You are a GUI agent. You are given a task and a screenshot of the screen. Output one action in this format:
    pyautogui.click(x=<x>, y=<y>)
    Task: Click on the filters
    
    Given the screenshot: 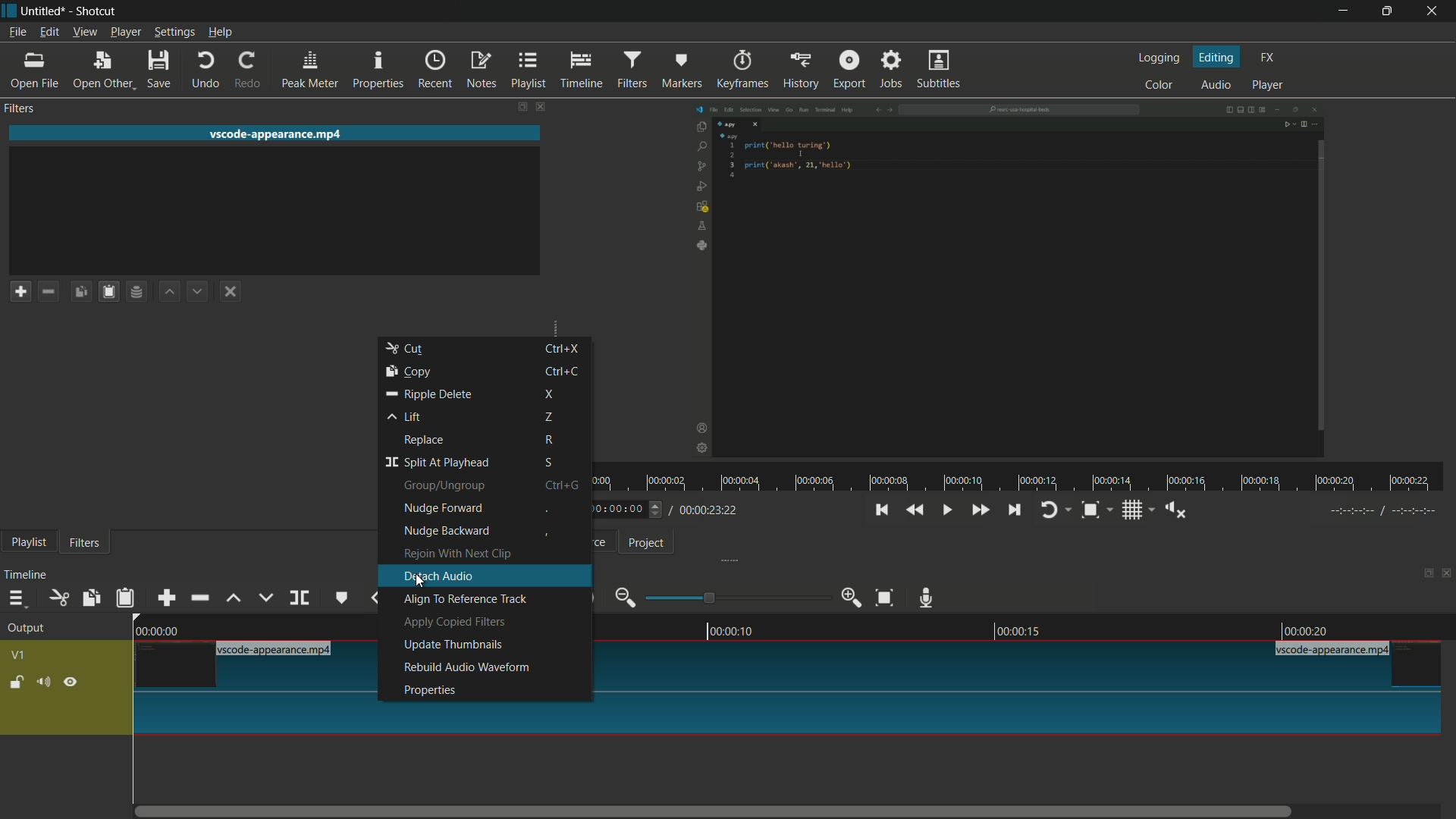 What is the action you would take?
    pyautogui.click(x=86, y=542)
    